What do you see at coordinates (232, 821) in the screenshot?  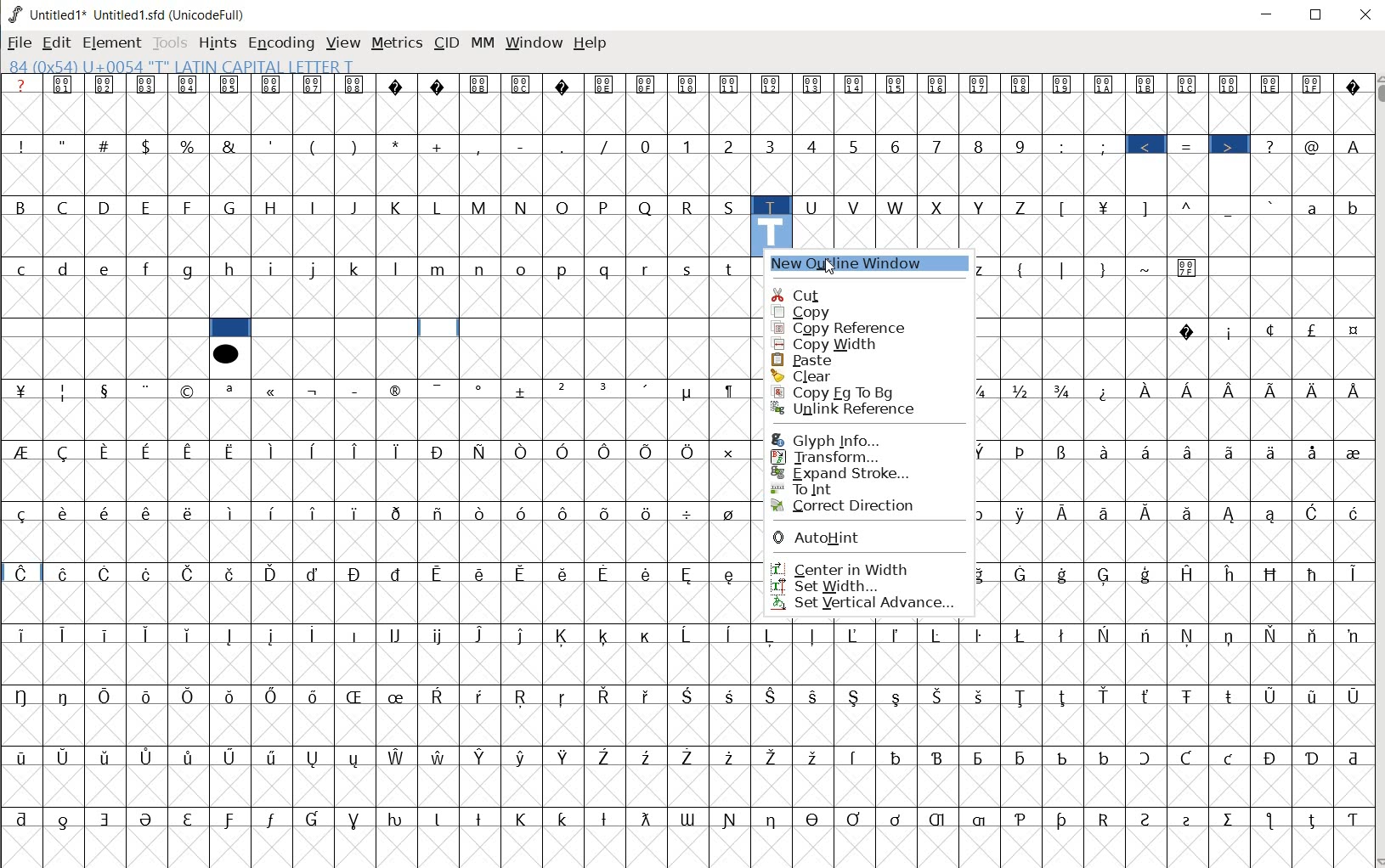 I see `Symbol` at bounding box center [232, 821].